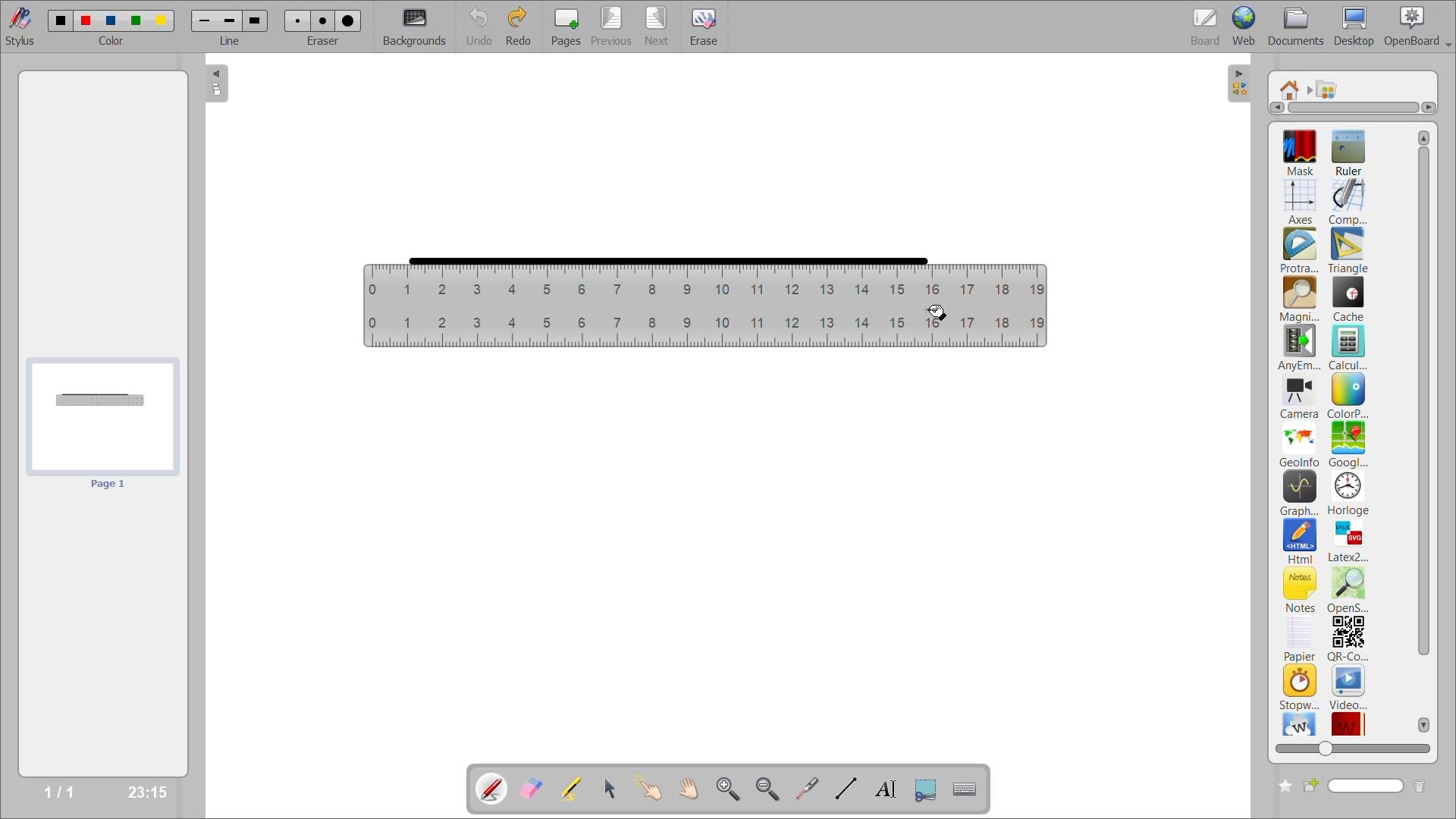 Image resolution: width=1456 pixels, height=819 pixels. Describe the element at coordinates (324, 40) in the screenshot. I see `eraser` at that location.